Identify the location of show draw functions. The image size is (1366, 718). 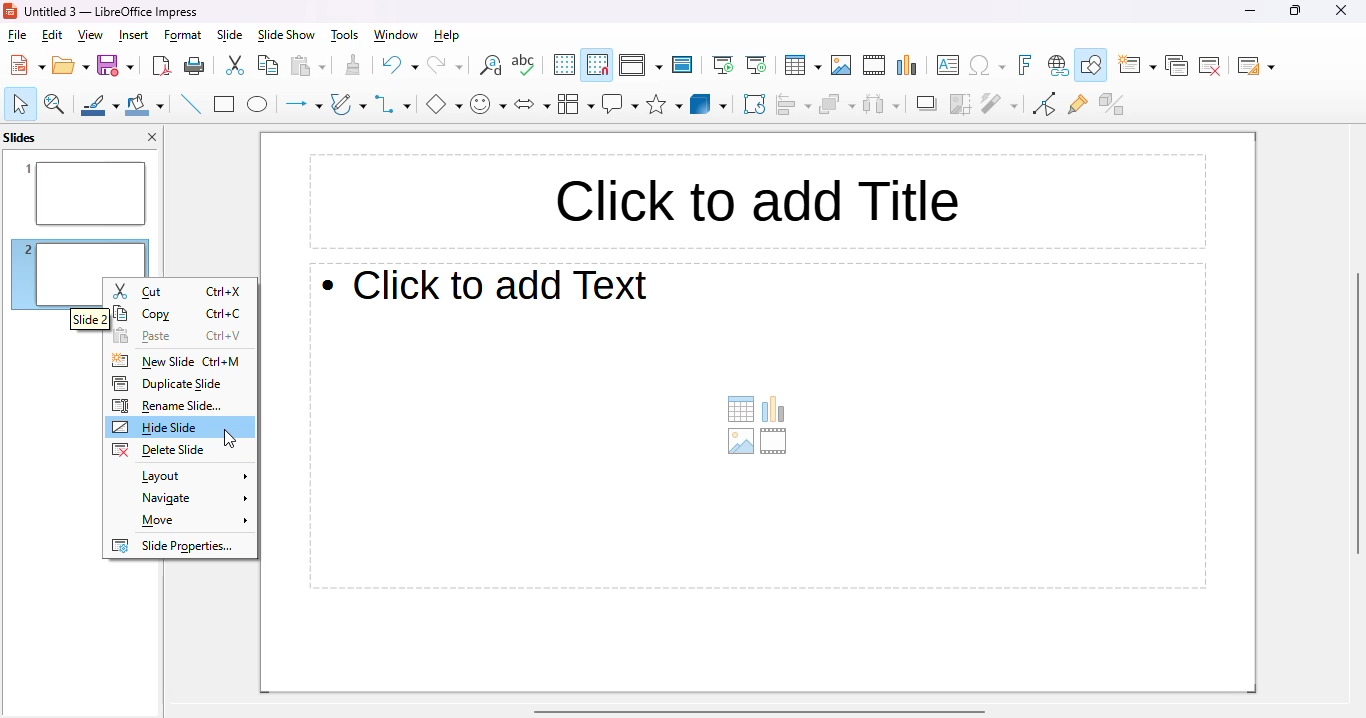
(1091, 66).